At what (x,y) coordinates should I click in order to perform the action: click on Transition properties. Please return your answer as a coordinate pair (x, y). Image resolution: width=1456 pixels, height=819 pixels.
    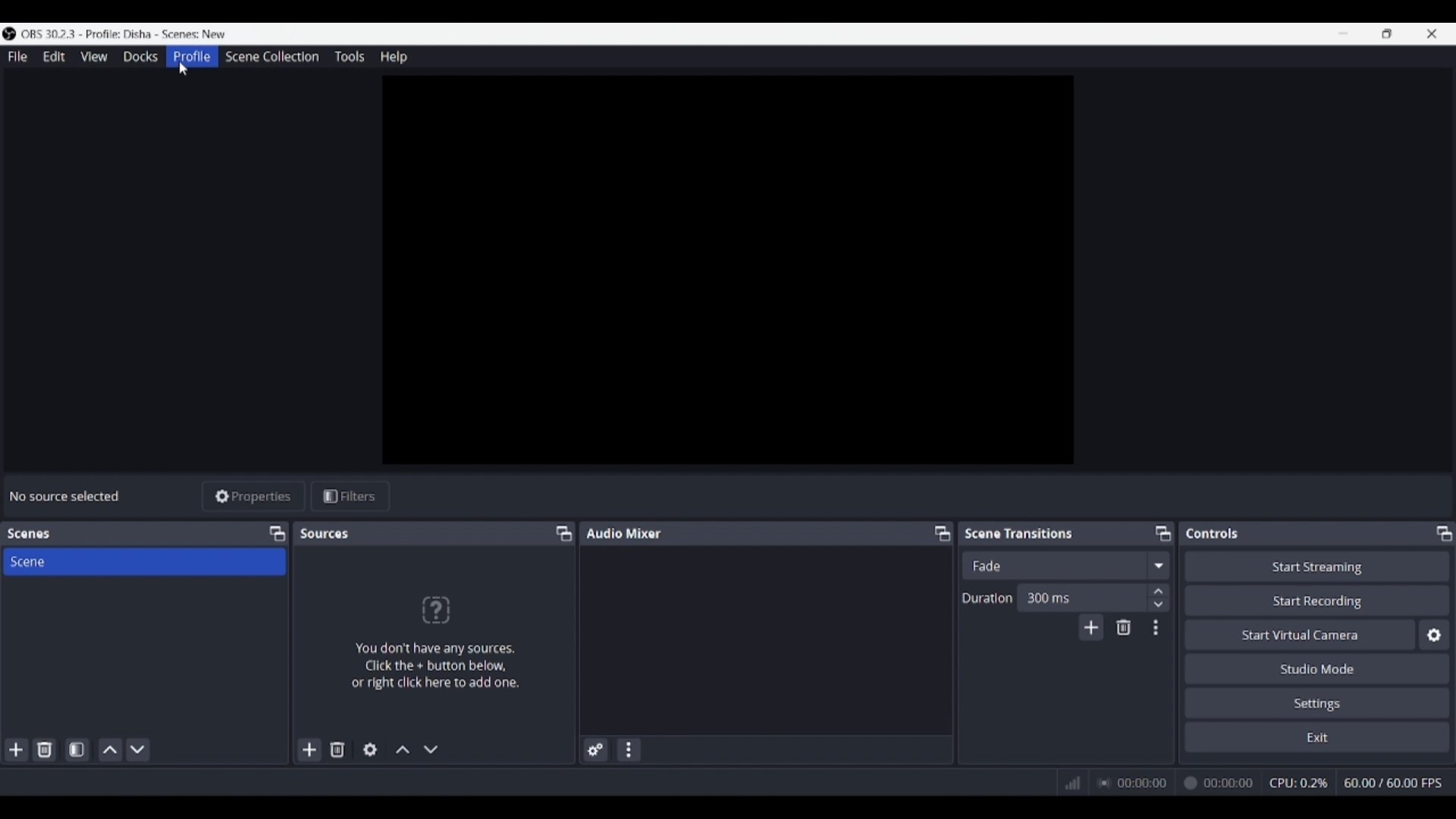
    Looking at the image, I should click on (1156, 628).